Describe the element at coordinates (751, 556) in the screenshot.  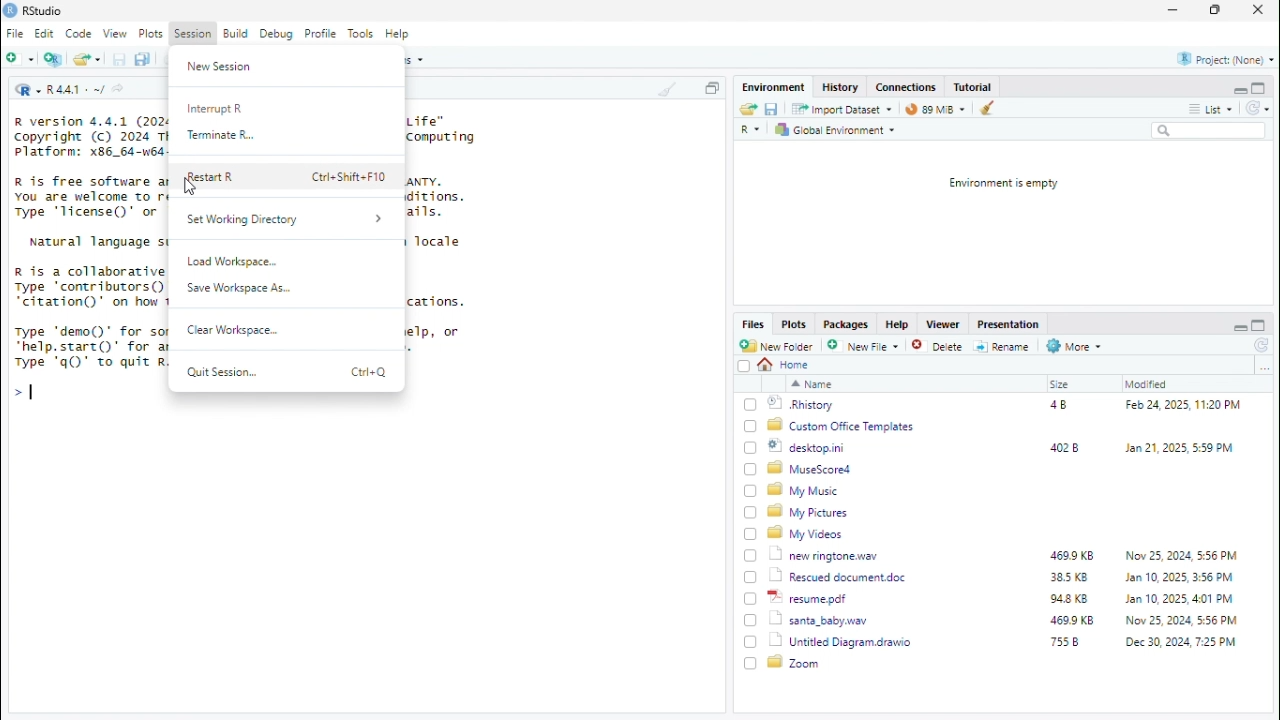
I see `Checkbox` at that location.